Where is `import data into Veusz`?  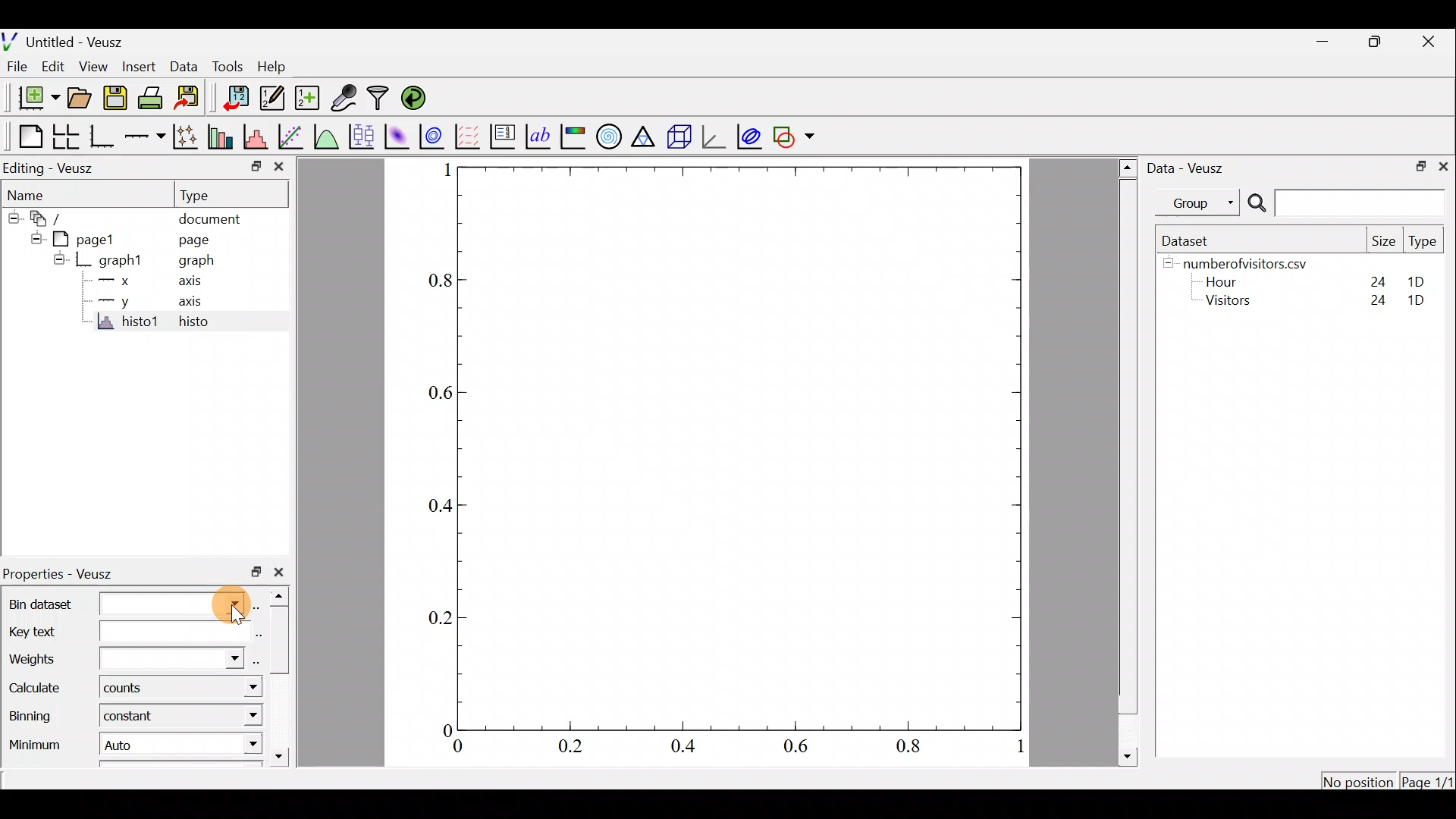
import data into Veusz is located at coordinates (231, 97).